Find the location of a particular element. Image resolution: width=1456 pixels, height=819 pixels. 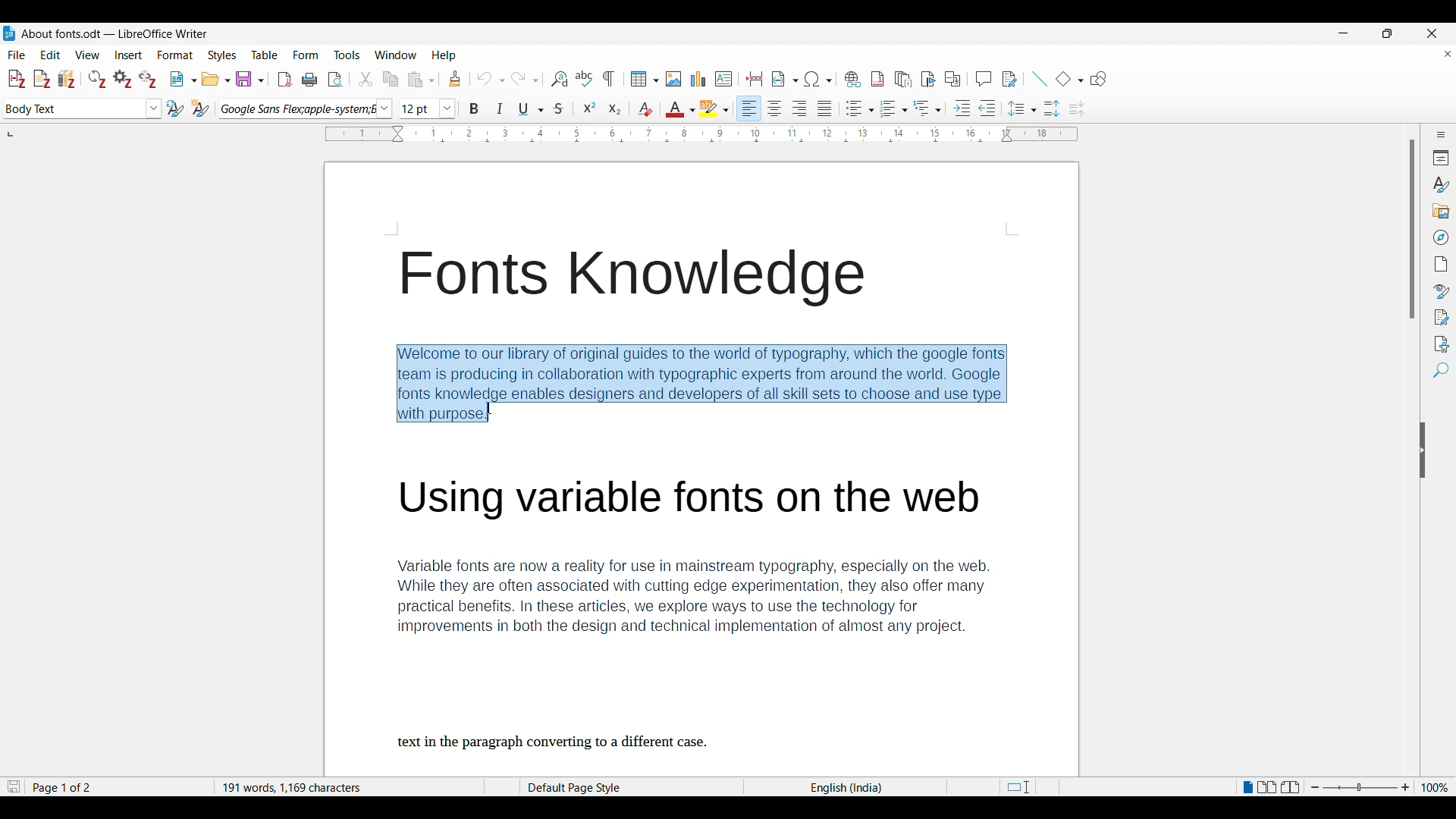

Insert hyperlink is located at coordinates (853, 79).